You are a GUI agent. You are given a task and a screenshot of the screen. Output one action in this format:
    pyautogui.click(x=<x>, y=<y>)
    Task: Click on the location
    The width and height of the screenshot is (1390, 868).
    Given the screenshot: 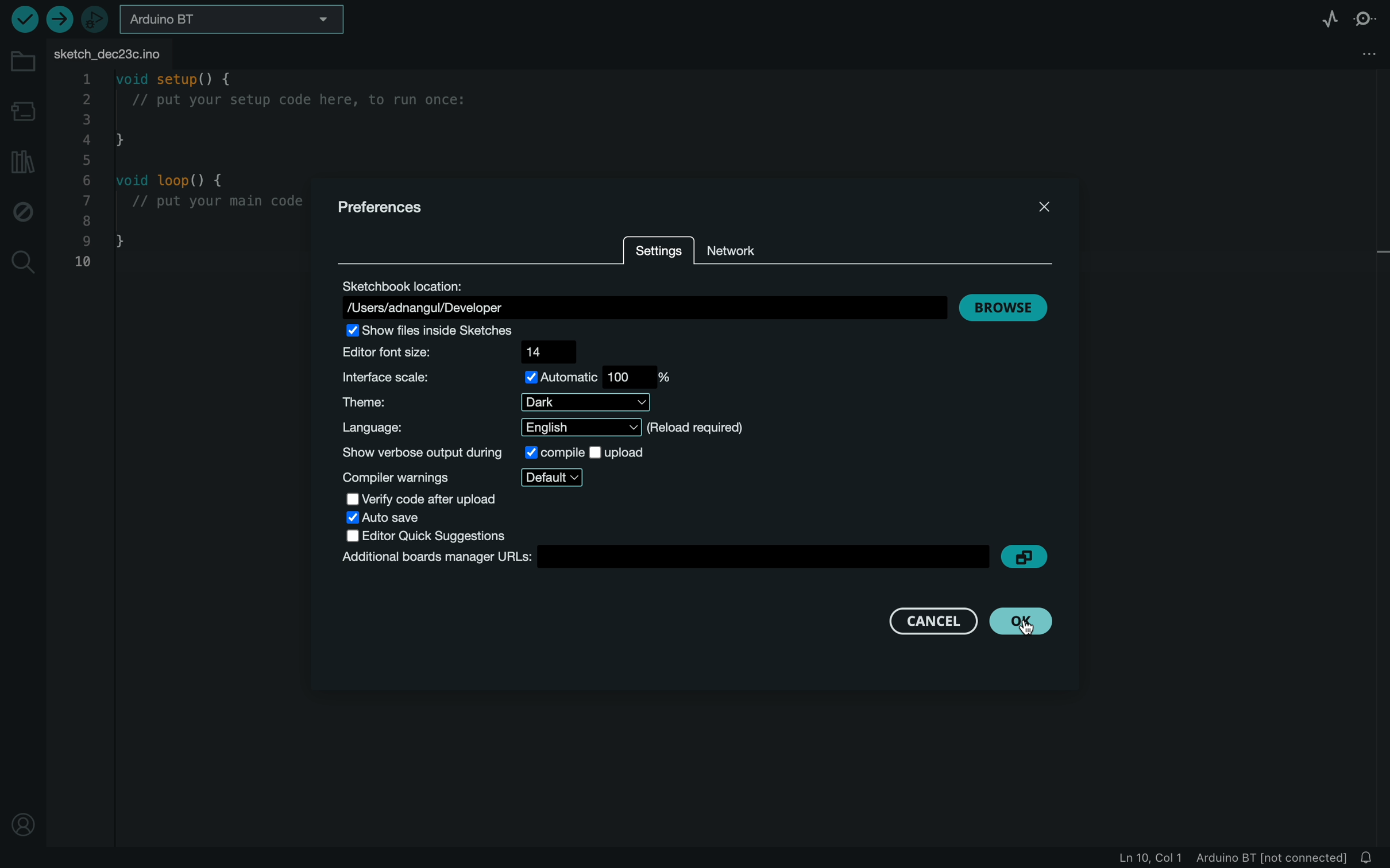 What is the action you would take?
    pyautogui.click(x=643, y=299)
    